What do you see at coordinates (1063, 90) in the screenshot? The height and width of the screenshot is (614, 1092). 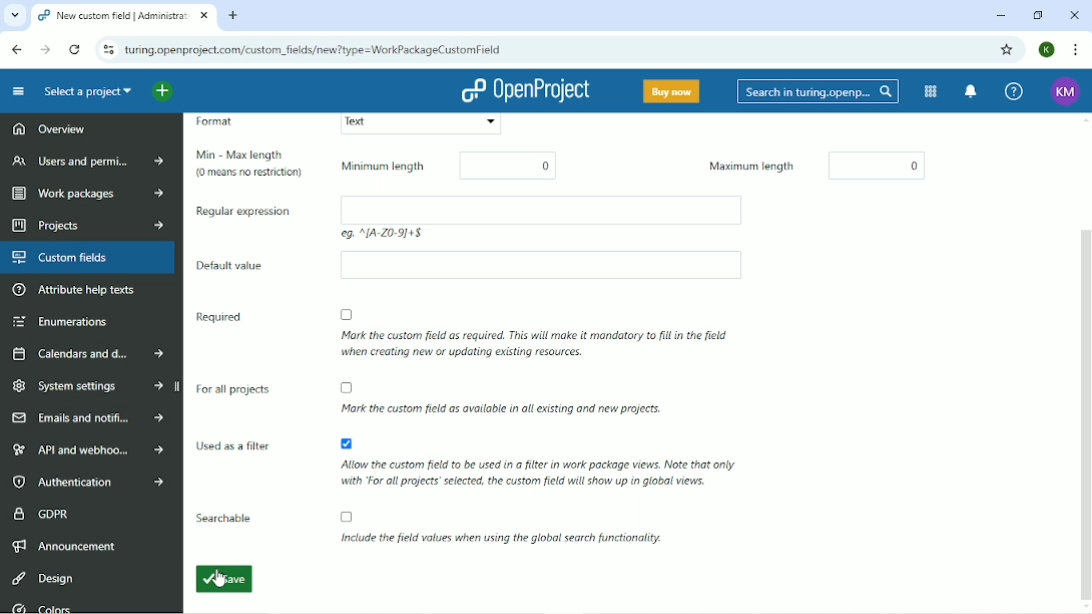 I see `Account` at bounding box center [1063, 90].